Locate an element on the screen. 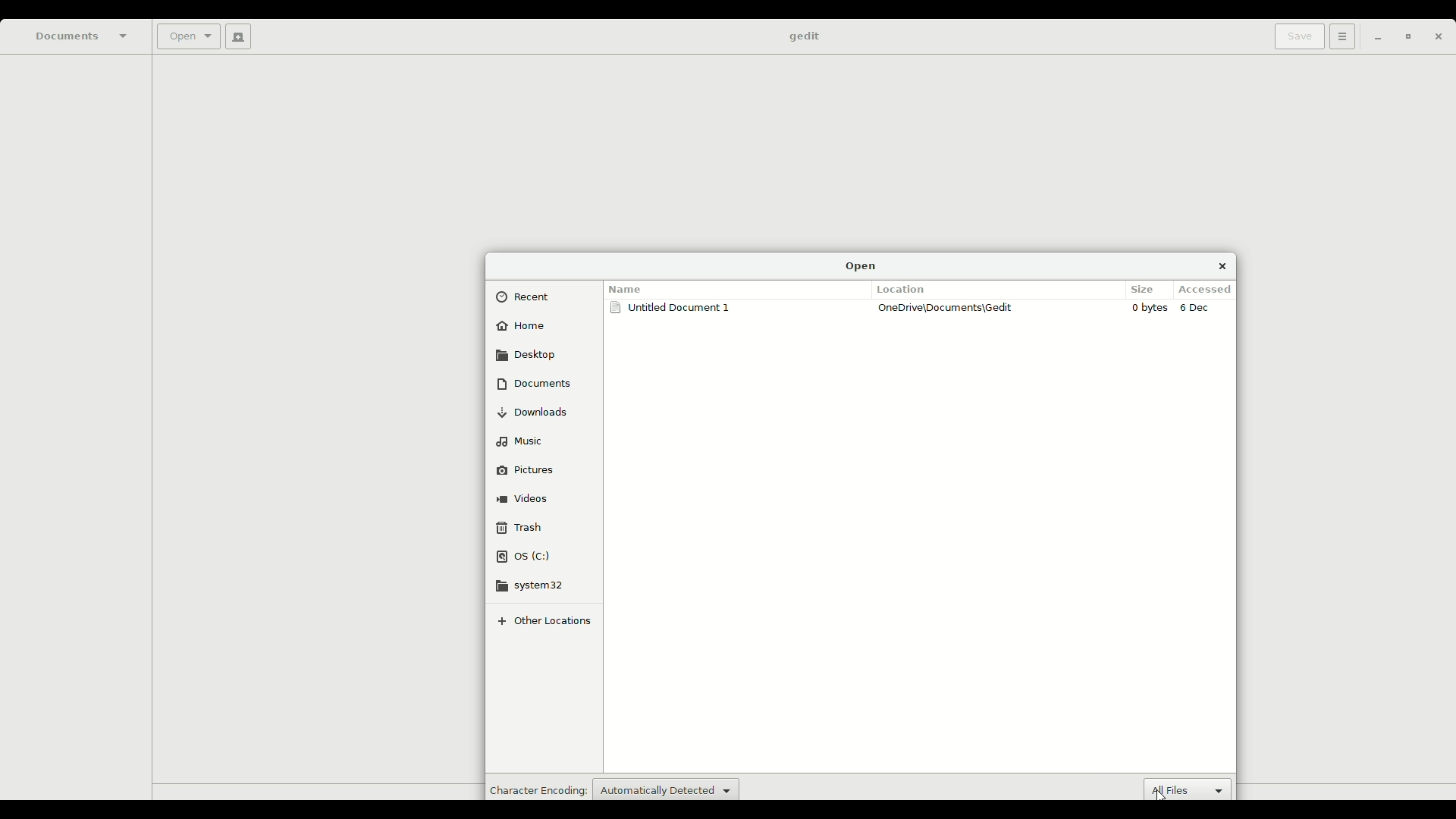  Auto detect is located at coordinates (666, 788).